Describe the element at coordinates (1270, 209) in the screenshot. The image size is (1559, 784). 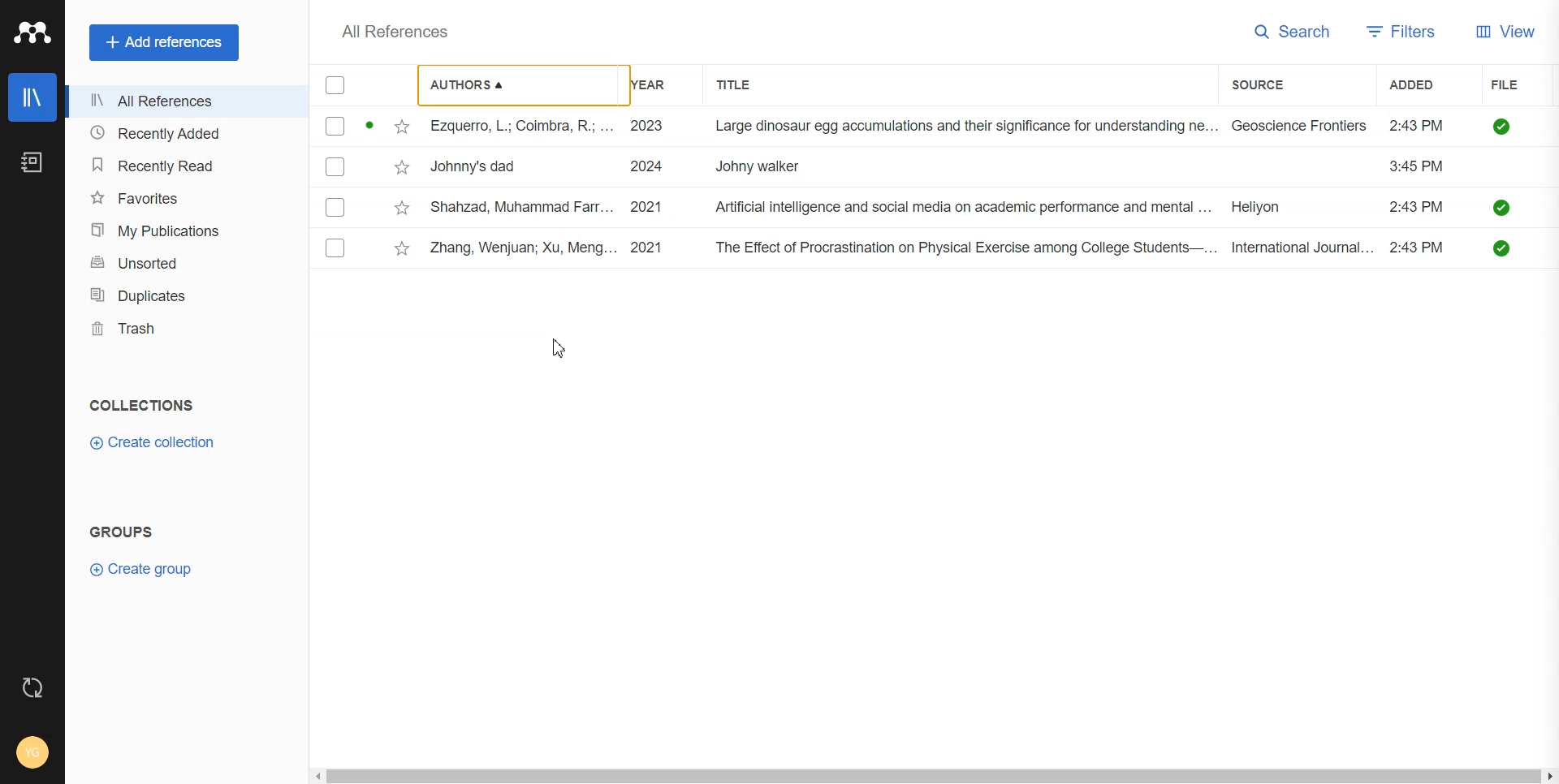
I see `Heiyon` at that location.